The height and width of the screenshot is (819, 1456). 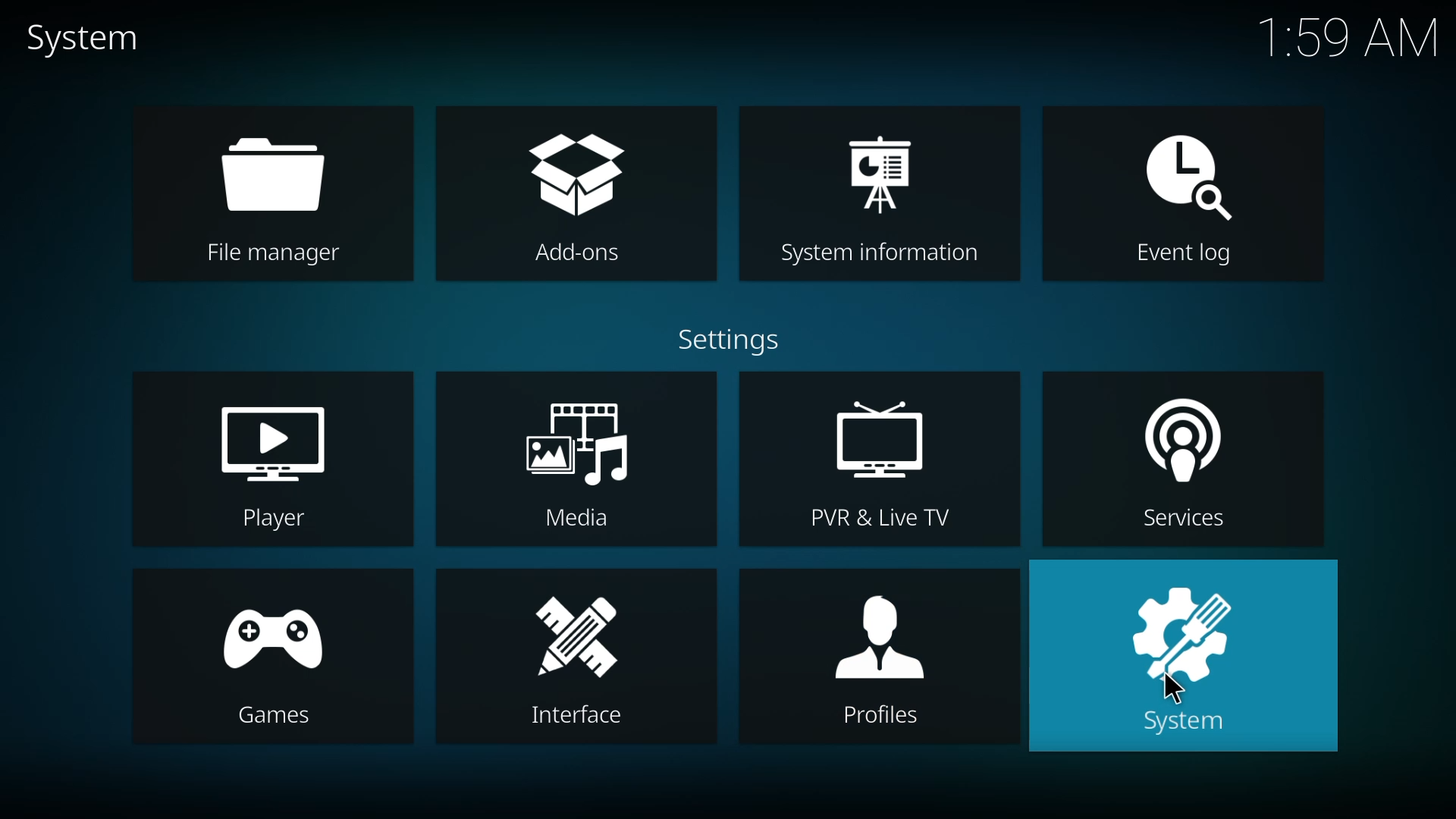 What do you see at coordinates (875, 460) in the screenshot?
I see `pvr & live tv` at bounding box center [875, 460].